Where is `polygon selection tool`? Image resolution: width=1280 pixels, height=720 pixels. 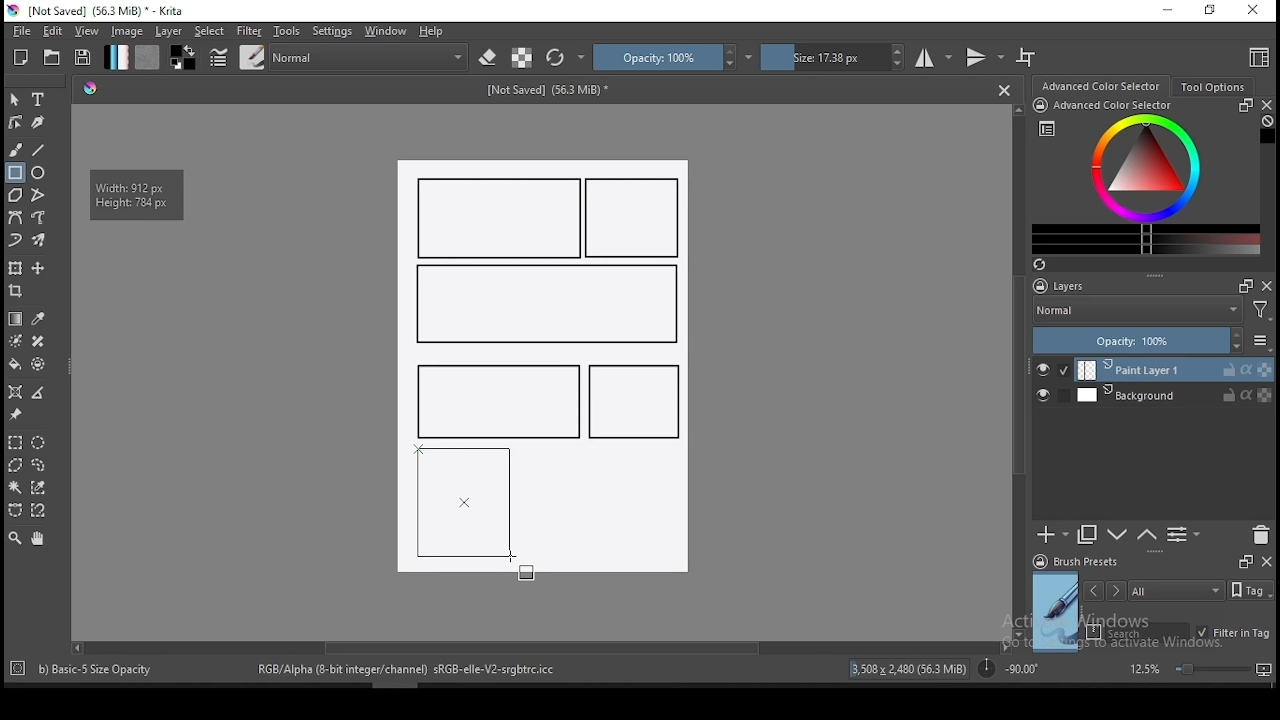 polygon selection tool is located at coordinates (16, 465).